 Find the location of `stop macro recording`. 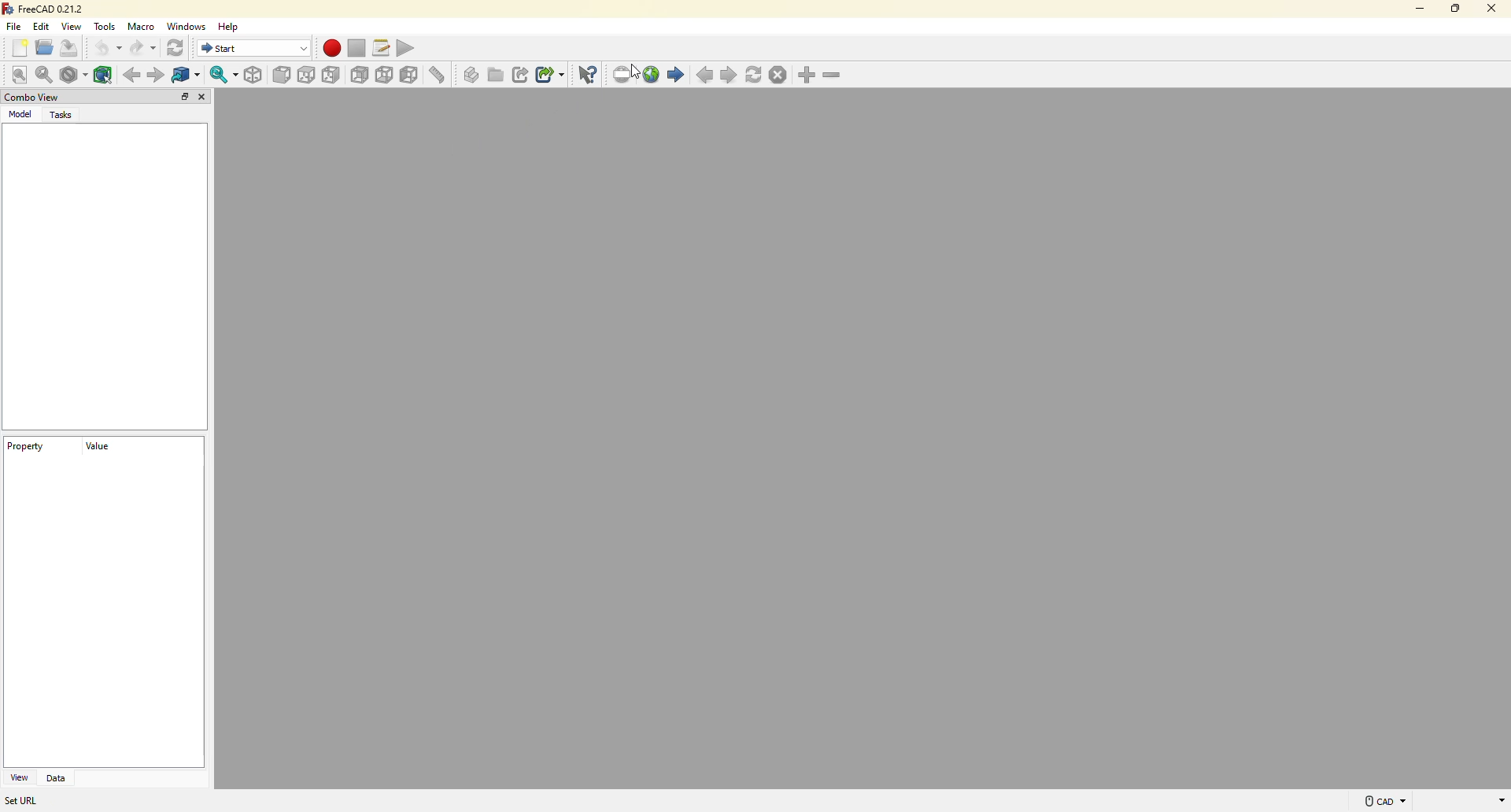

stop macro recording is located at coordinates (356, 49).